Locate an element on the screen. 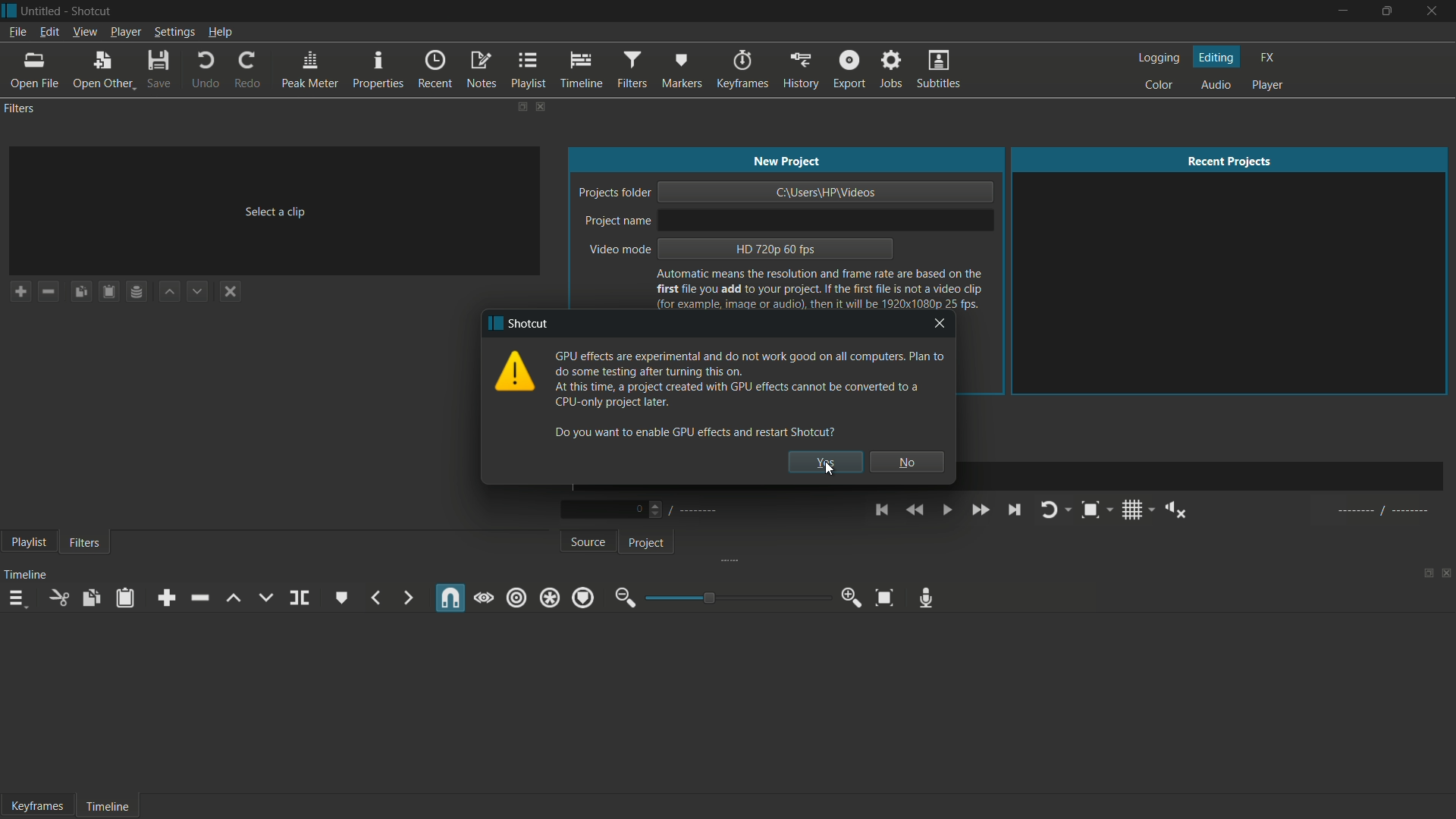 The height and width of the screenshot is (819, 1456). close app is located at coordinates (1433, 11).